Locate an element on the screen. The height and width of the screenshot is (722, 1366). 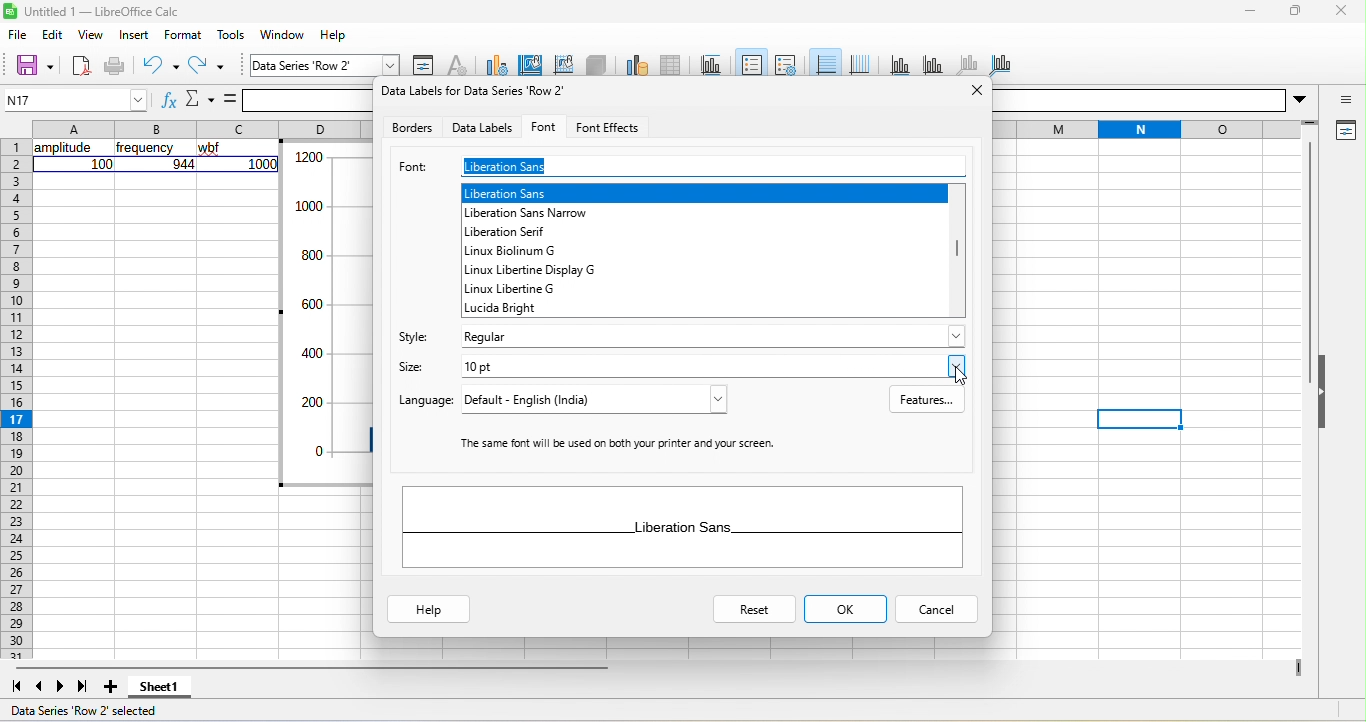
add sheet is located at coordinates (113, 690).